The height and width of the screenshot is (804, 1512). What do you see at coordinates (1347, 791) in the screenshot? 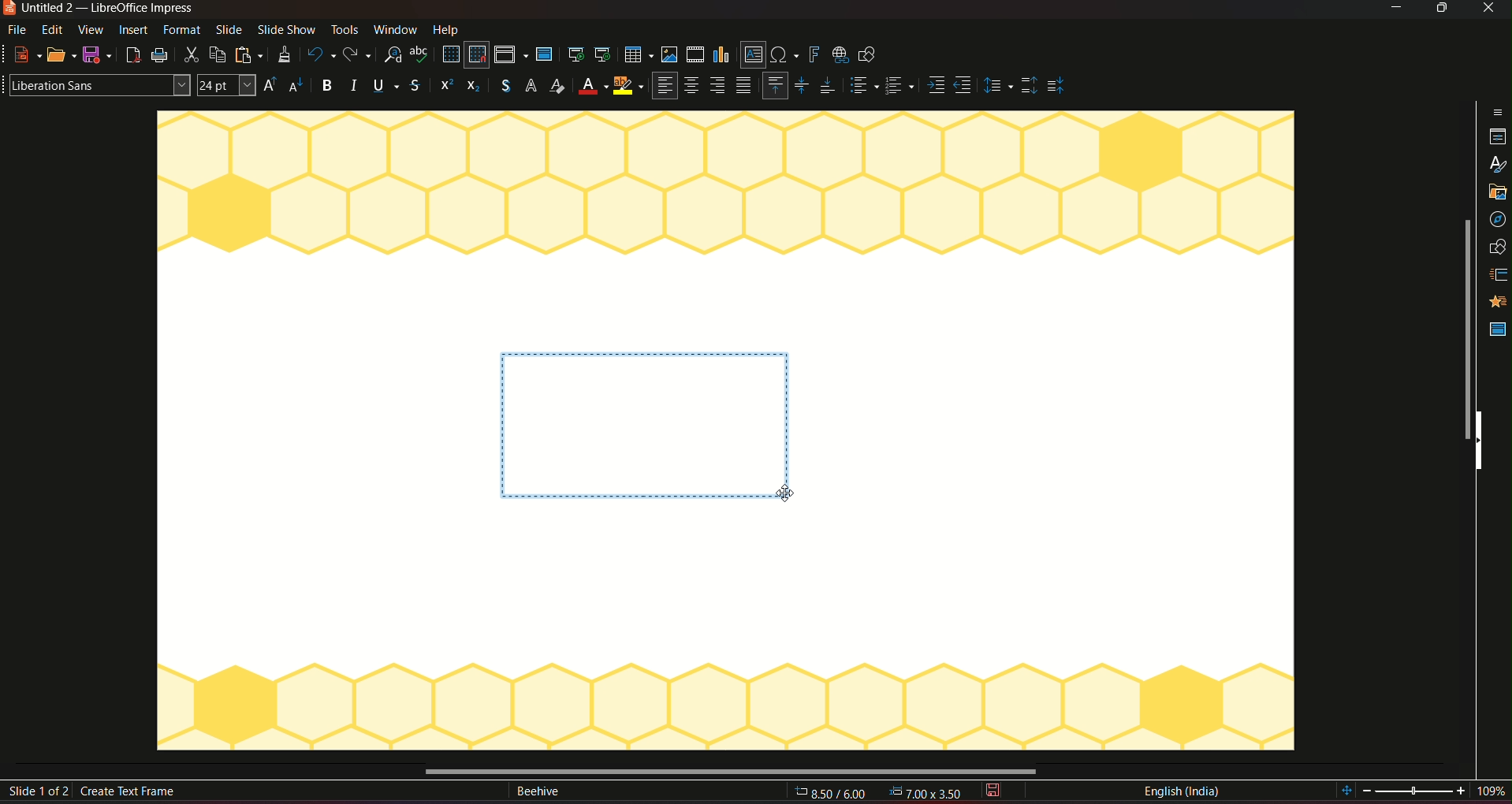
I see `fit slide to current view` at bounding box center [1347, 791].